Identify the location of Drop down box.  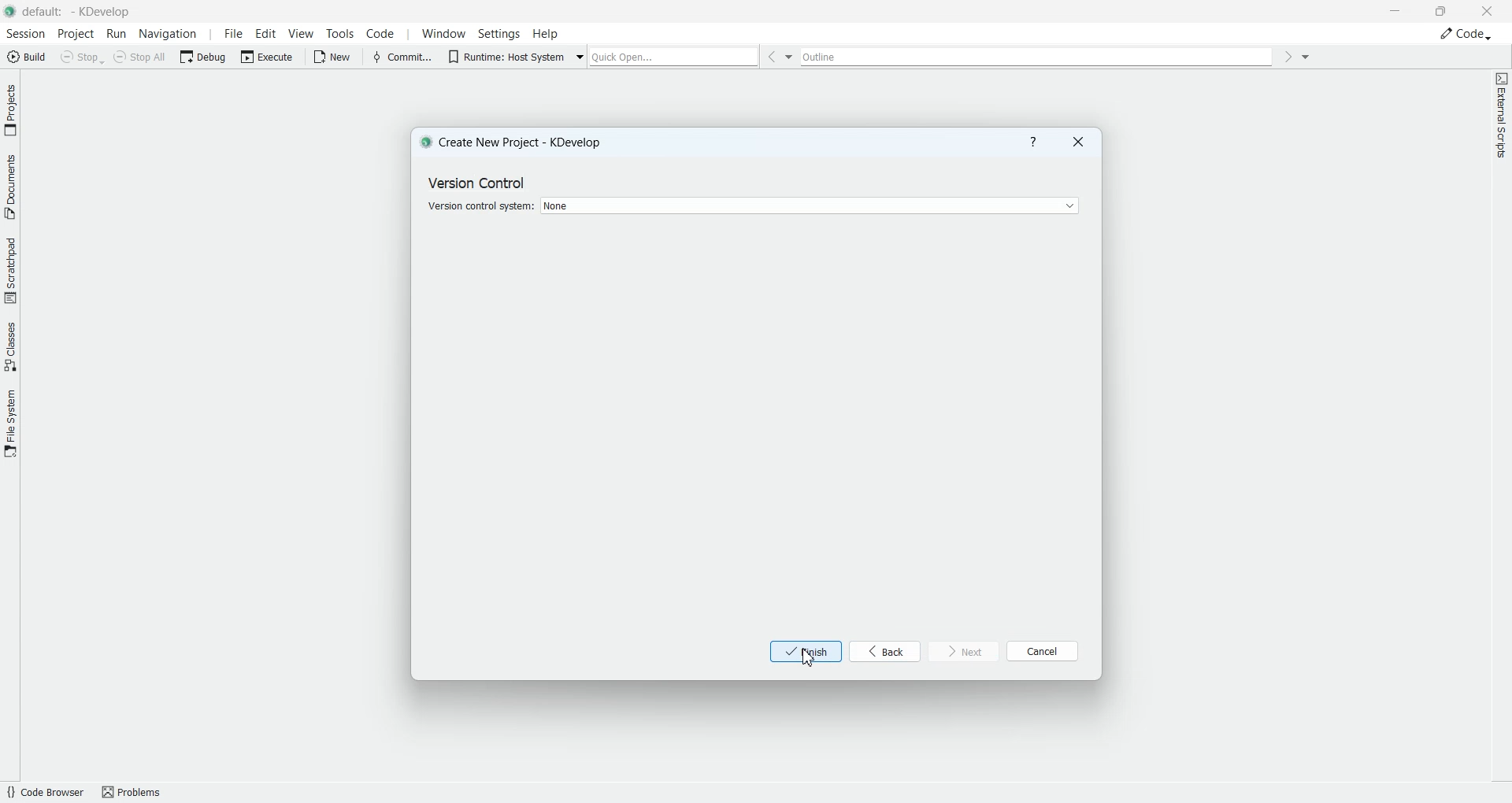
(581, 55).